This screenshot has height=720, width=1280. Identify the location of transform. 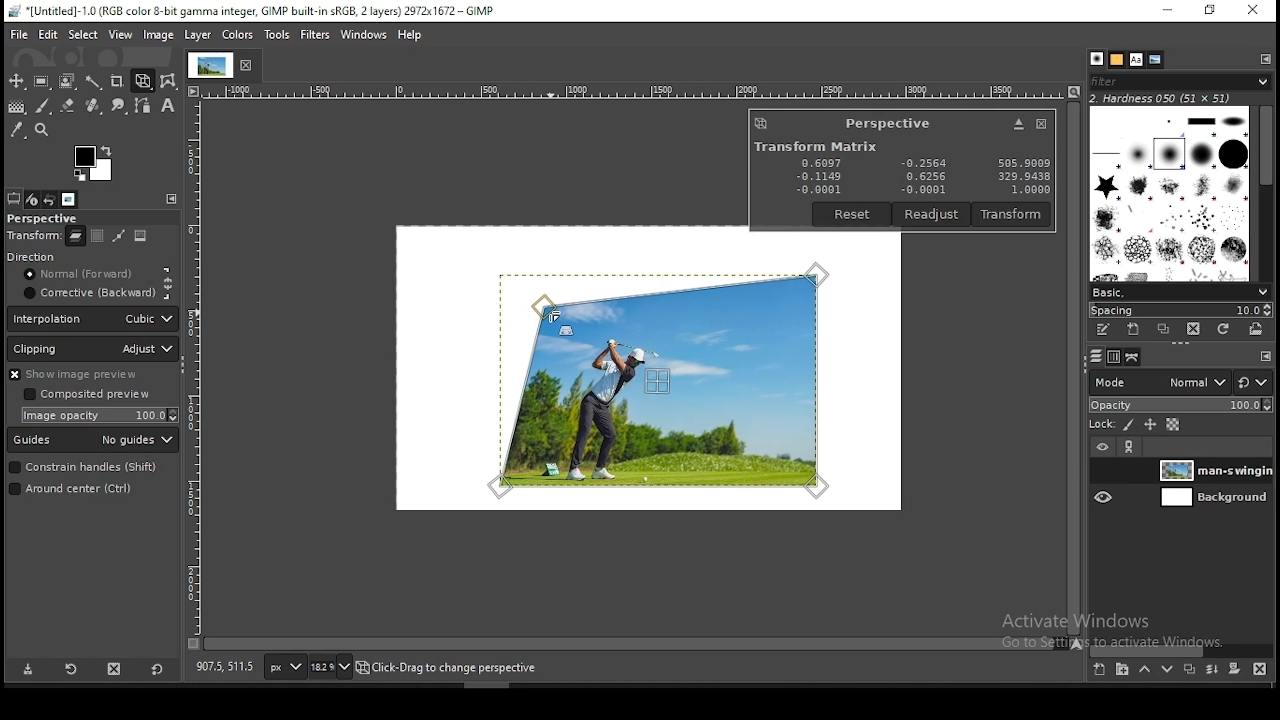
(1013, 214).